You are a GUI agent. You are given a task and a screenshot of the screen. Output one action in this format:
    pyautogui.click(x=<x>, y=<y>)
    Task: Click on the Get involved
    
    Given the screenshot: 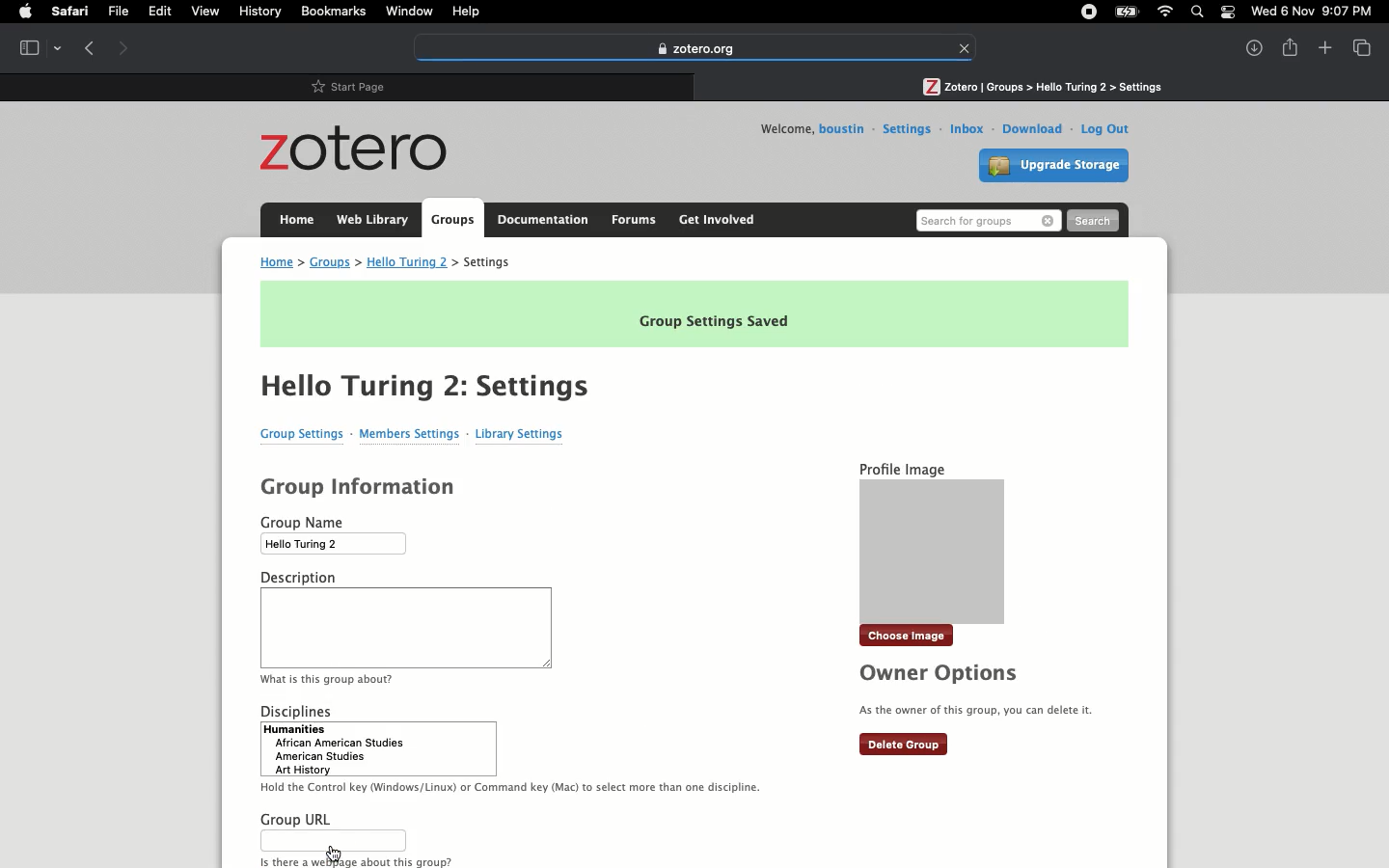 What is the action you would take?
    pyautogui.click(x=716, y=219)
    